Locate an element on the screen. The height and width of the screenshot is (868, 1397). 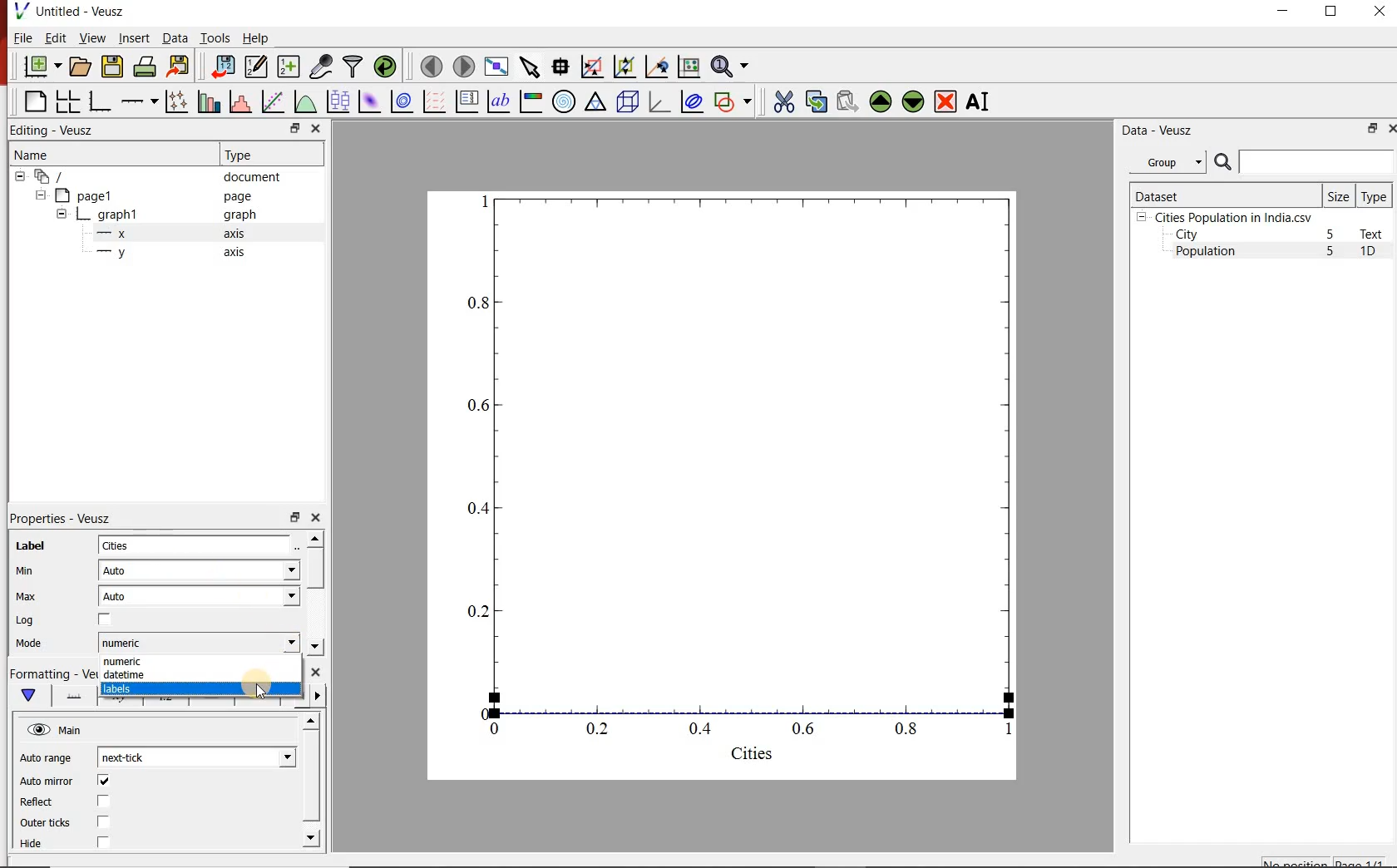
blank page is located at coordinates (33, 102).